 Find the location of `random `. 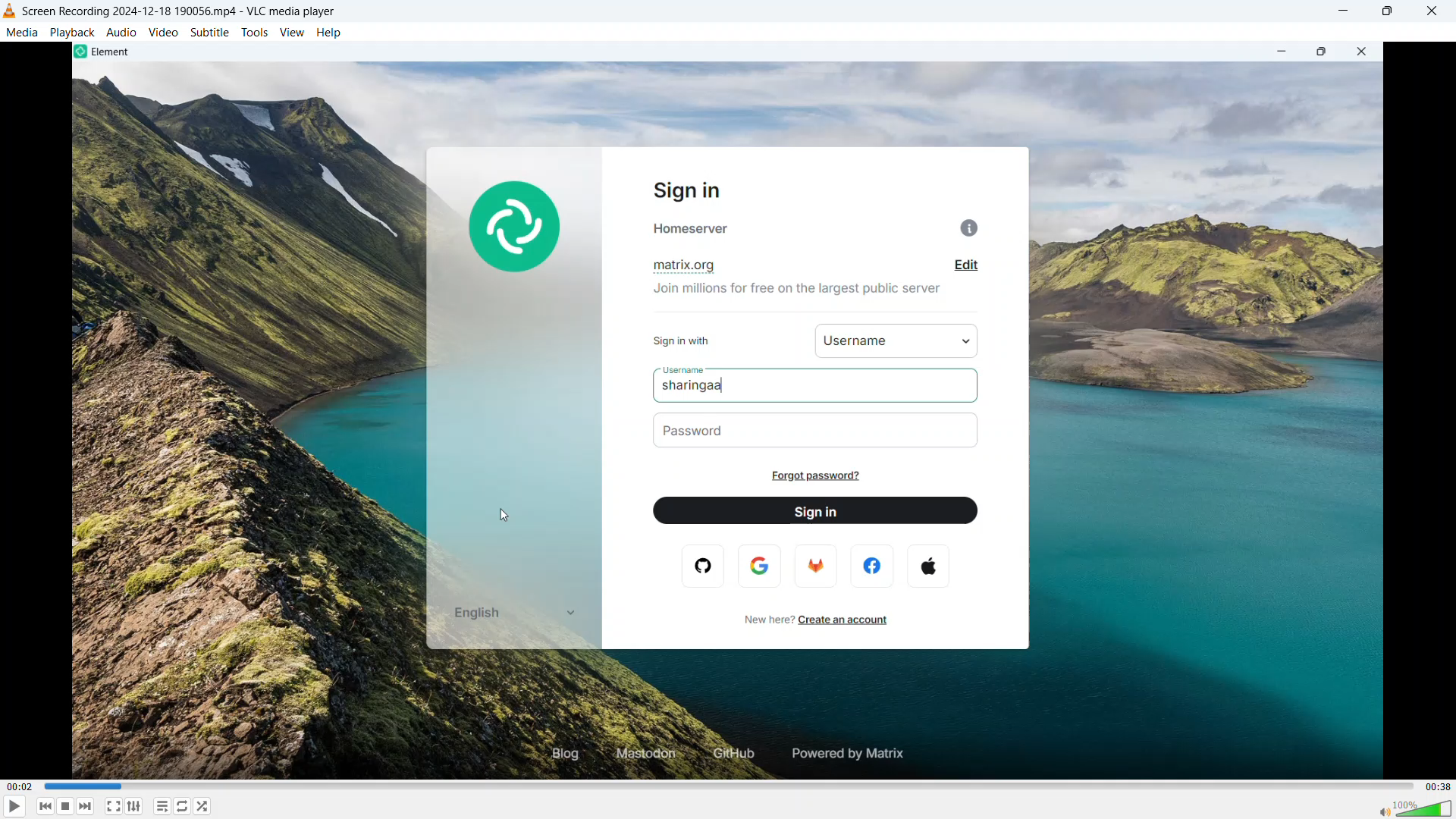

random  is located at coordinates (203, 806).